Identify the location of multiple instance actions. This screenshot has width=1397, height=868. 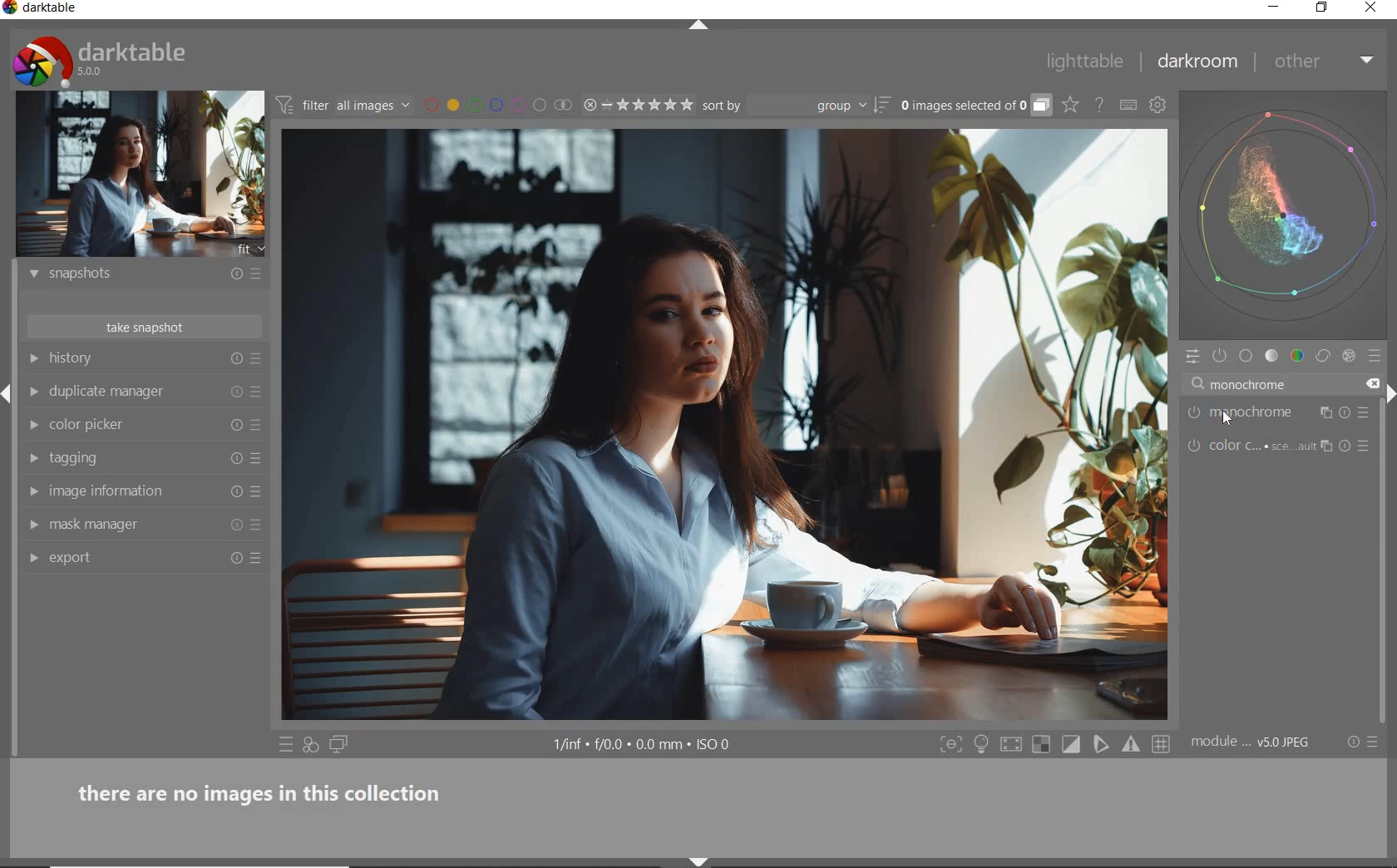
(1321, 447).